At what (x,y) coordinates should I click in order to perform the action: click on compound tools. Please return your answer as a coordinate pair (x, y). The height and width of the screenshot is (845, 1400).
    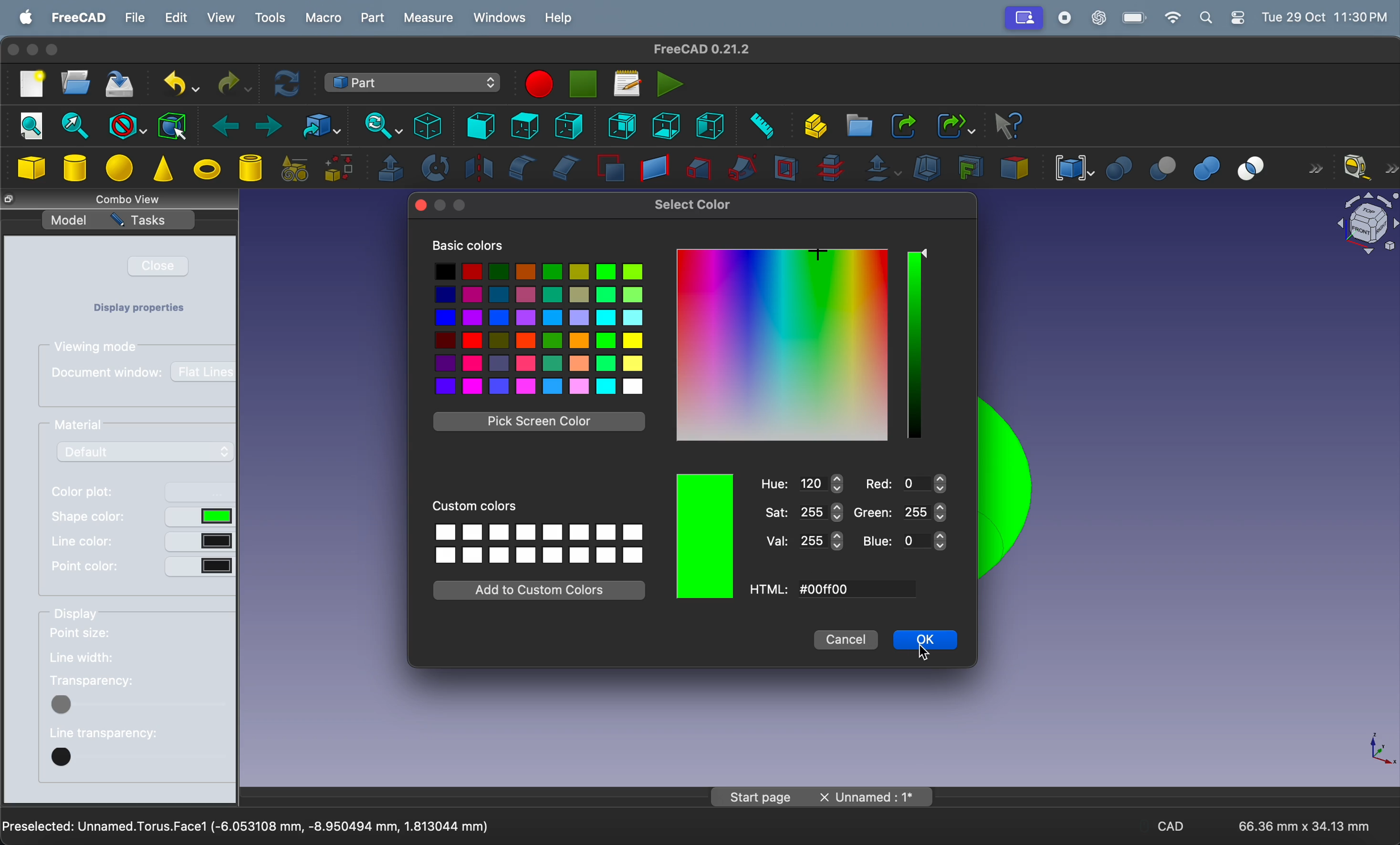
    Looking at the image, I should click on (1070, 167).